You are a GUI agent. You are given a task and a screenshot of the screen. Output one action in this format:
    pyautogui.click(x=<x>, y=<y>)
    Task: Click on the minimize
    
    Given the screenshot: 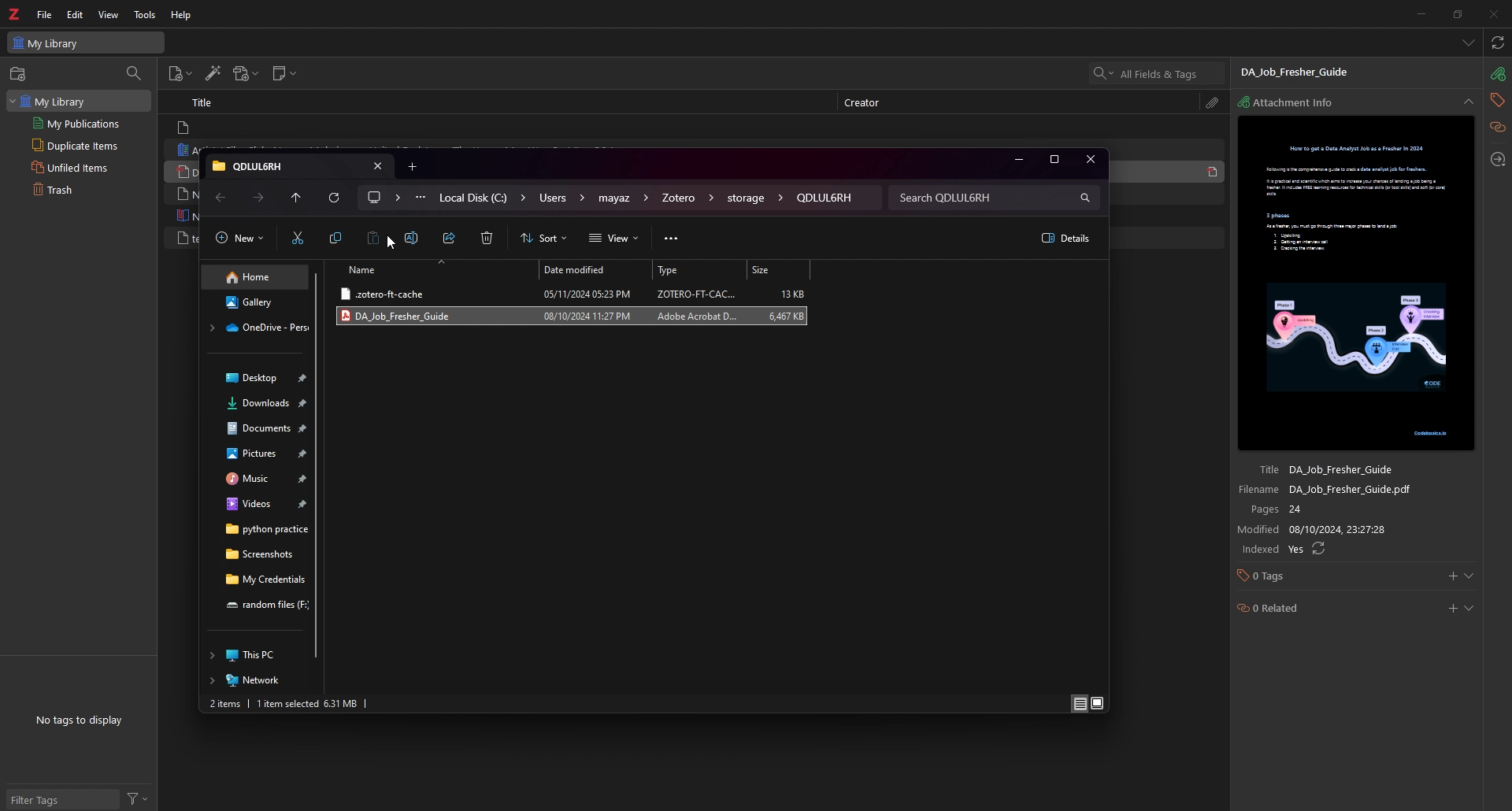 What is the action you would take?
    pyautogui.click(x=1419, y=13)
    